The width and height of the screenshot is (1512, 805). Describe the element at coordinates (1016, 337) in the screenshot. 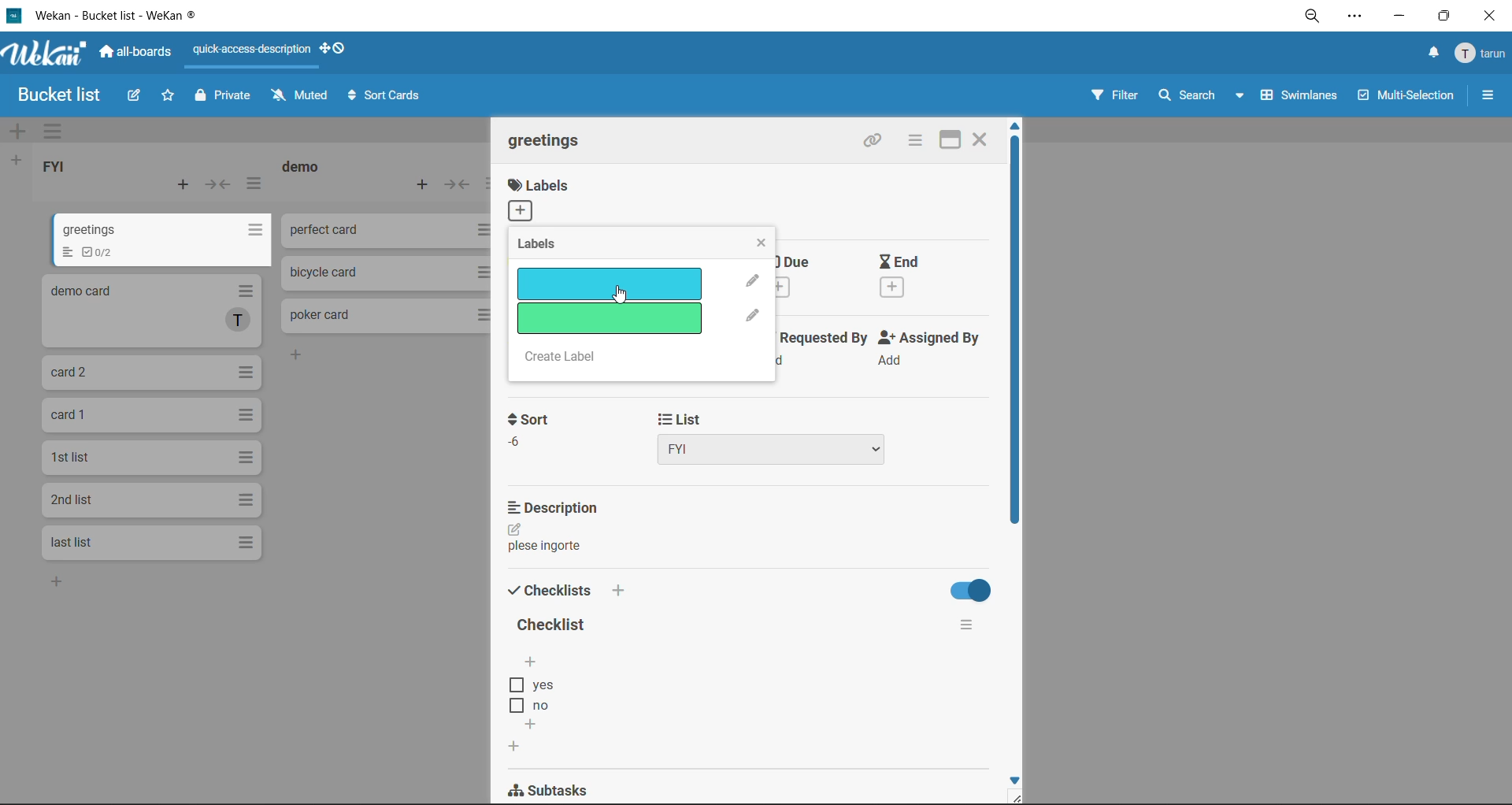

I see `vertical scroll bar` at that location.